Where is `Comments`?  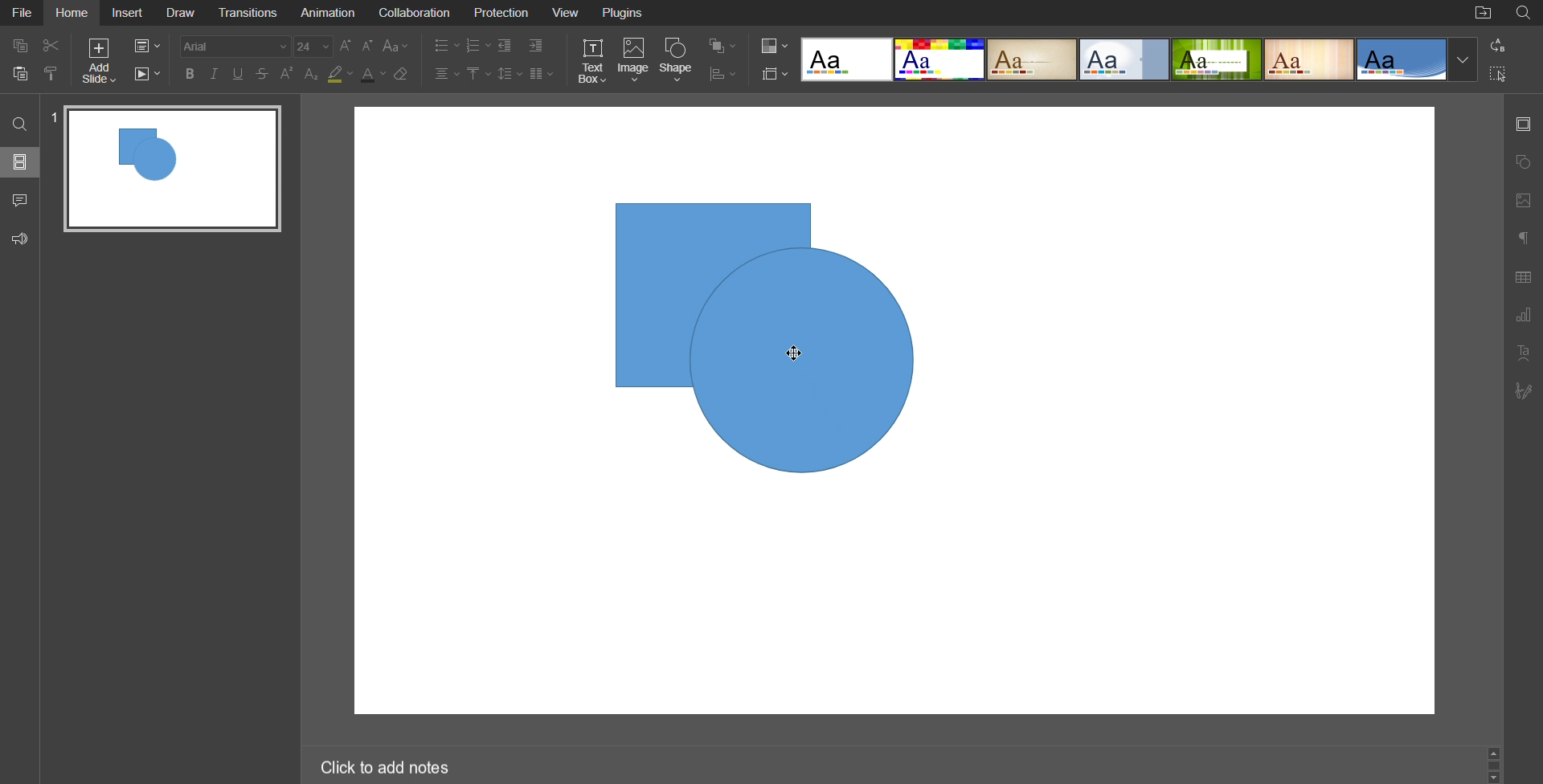
Comments is located at coordinates (18, 202).